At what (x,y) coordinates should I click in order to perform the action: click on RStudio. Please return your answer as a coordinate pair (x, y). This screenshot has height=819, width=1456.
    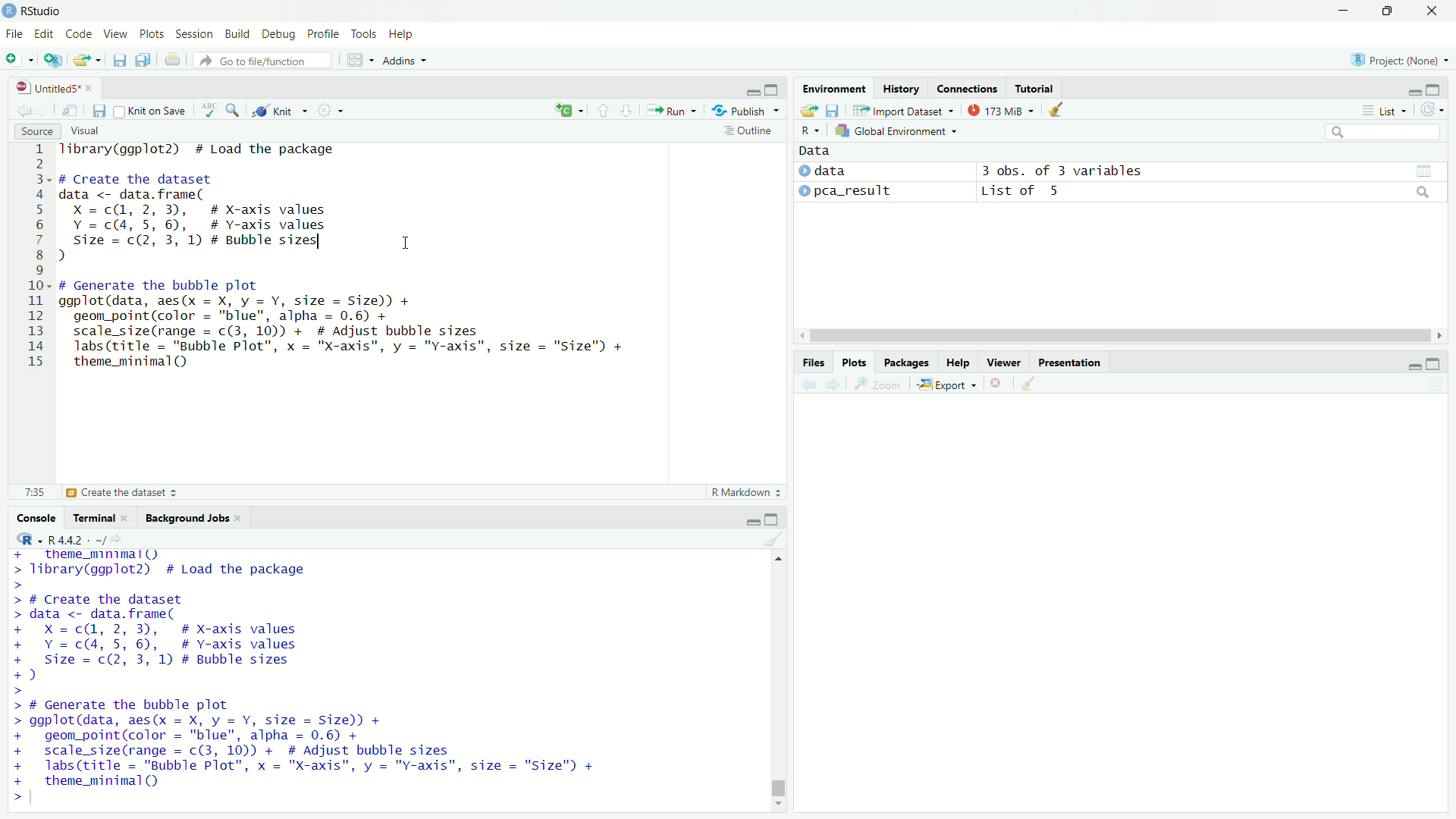
    Looking at the image, I should click on (42, 11).